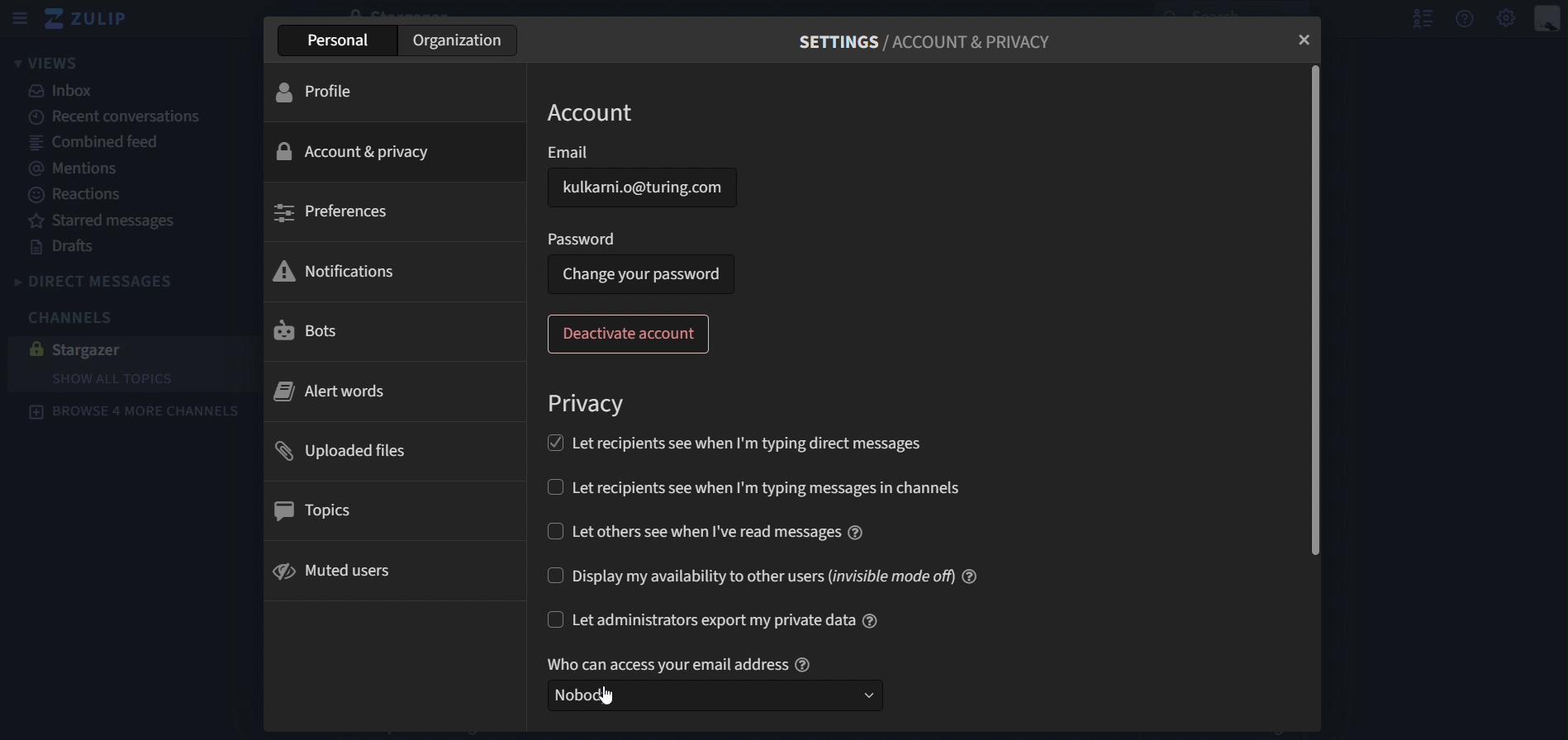 The width and height of the screenshot is (1568, 740). What do you see at coordinates (359, 448) in the screenshot?
I see `uploaded files` at bounding box center [359, 448].